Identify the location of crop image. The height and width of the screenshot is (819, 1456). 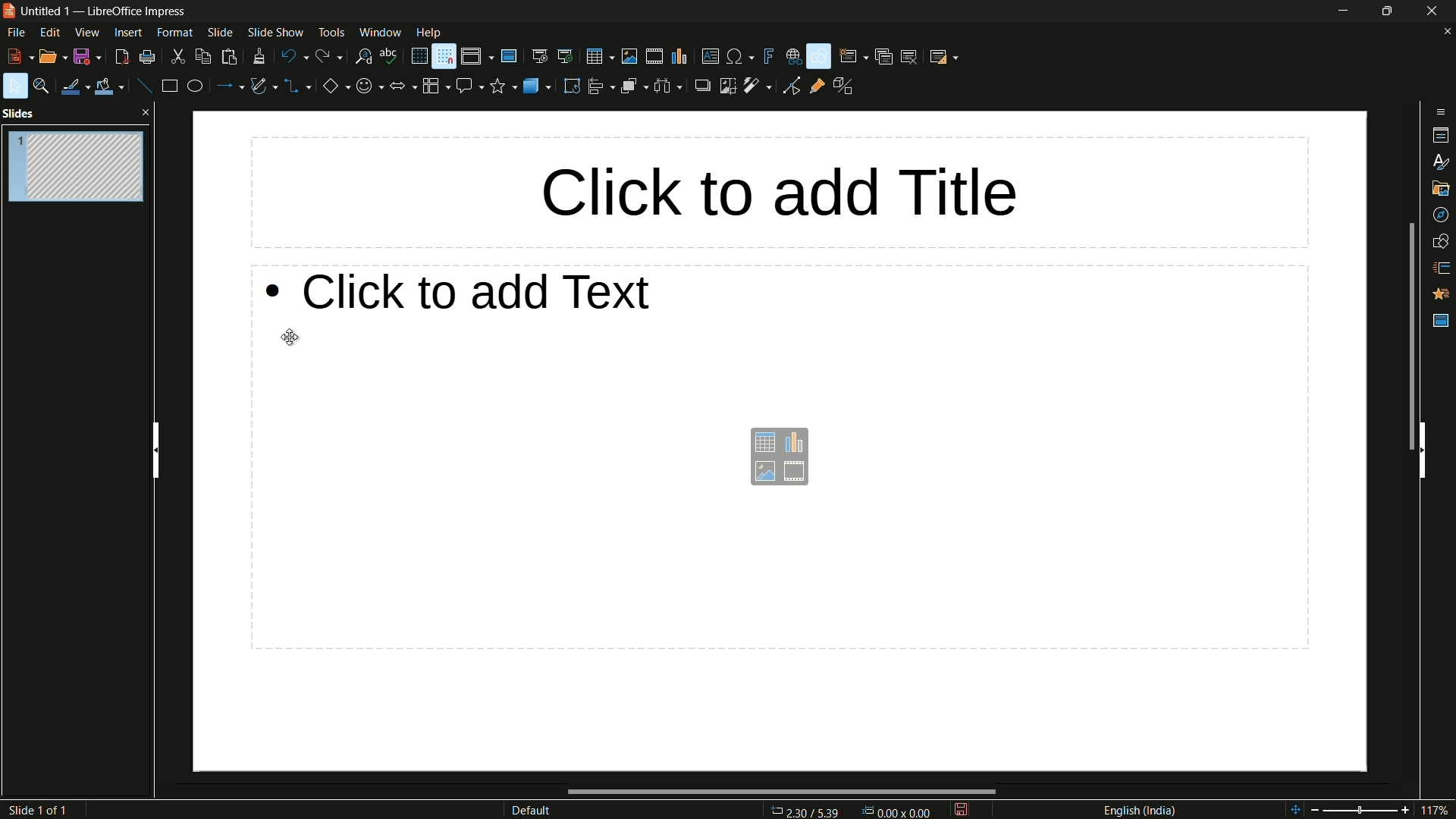
(730, 87).